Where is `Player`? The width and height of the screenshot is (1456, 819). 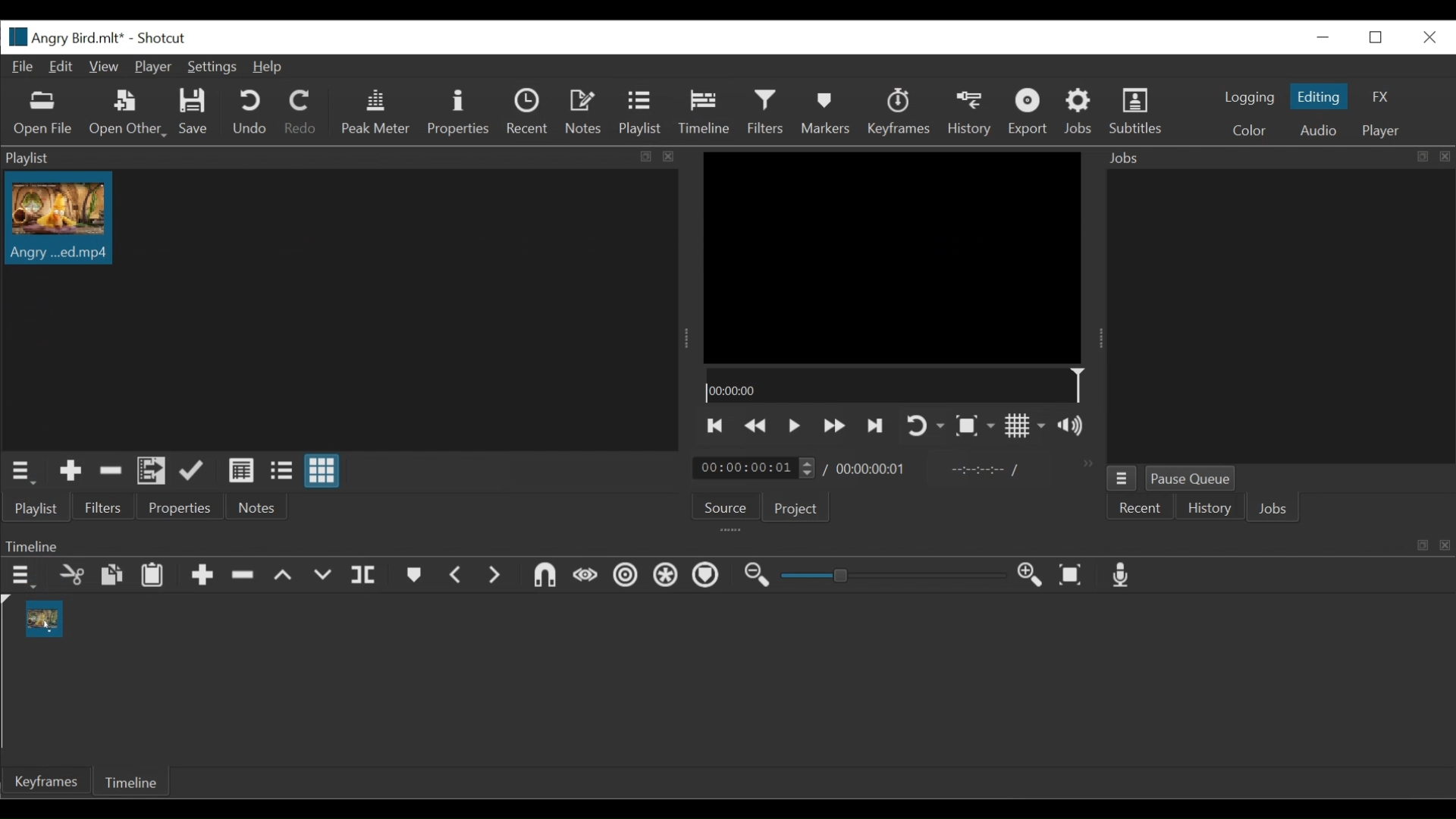 Player is located at coordinates (152, 67).